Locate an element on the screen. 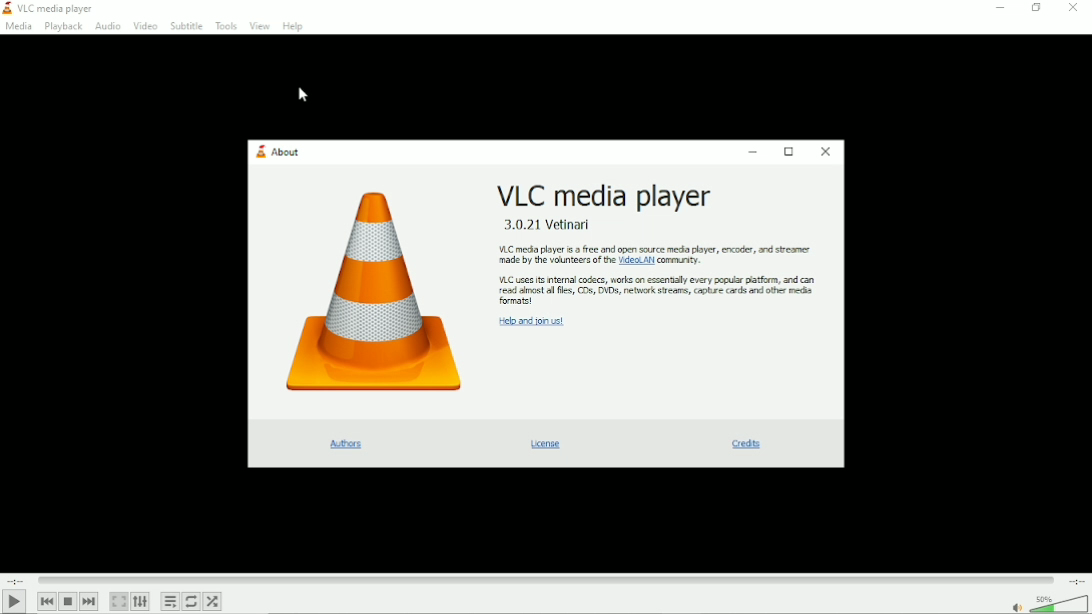 Image resolution: width=1092 pixels, height=614 pixels. Minimize is located at coordinates (752, 151).